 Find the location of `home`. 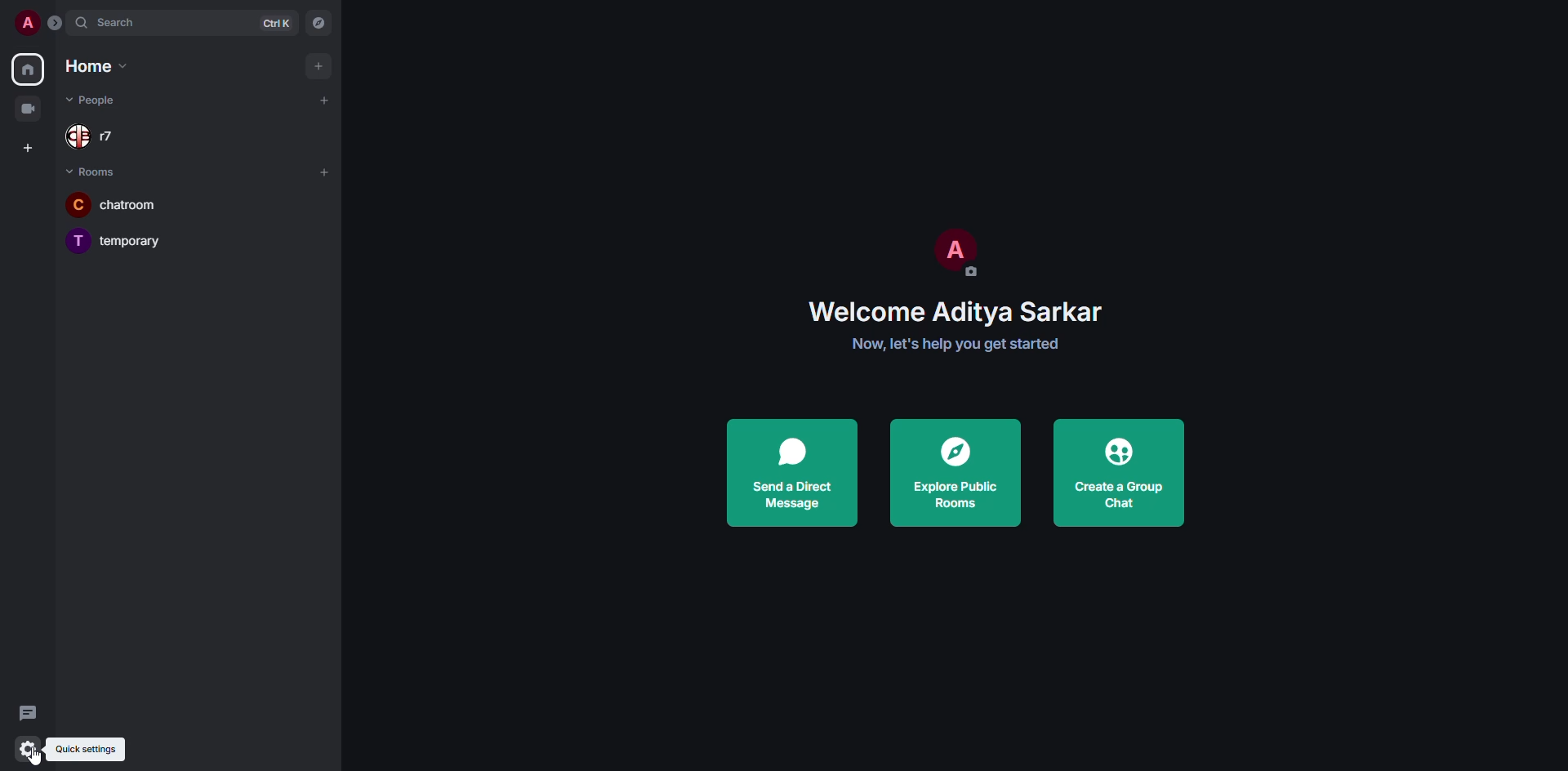

home is located at coordinates (93, 65).